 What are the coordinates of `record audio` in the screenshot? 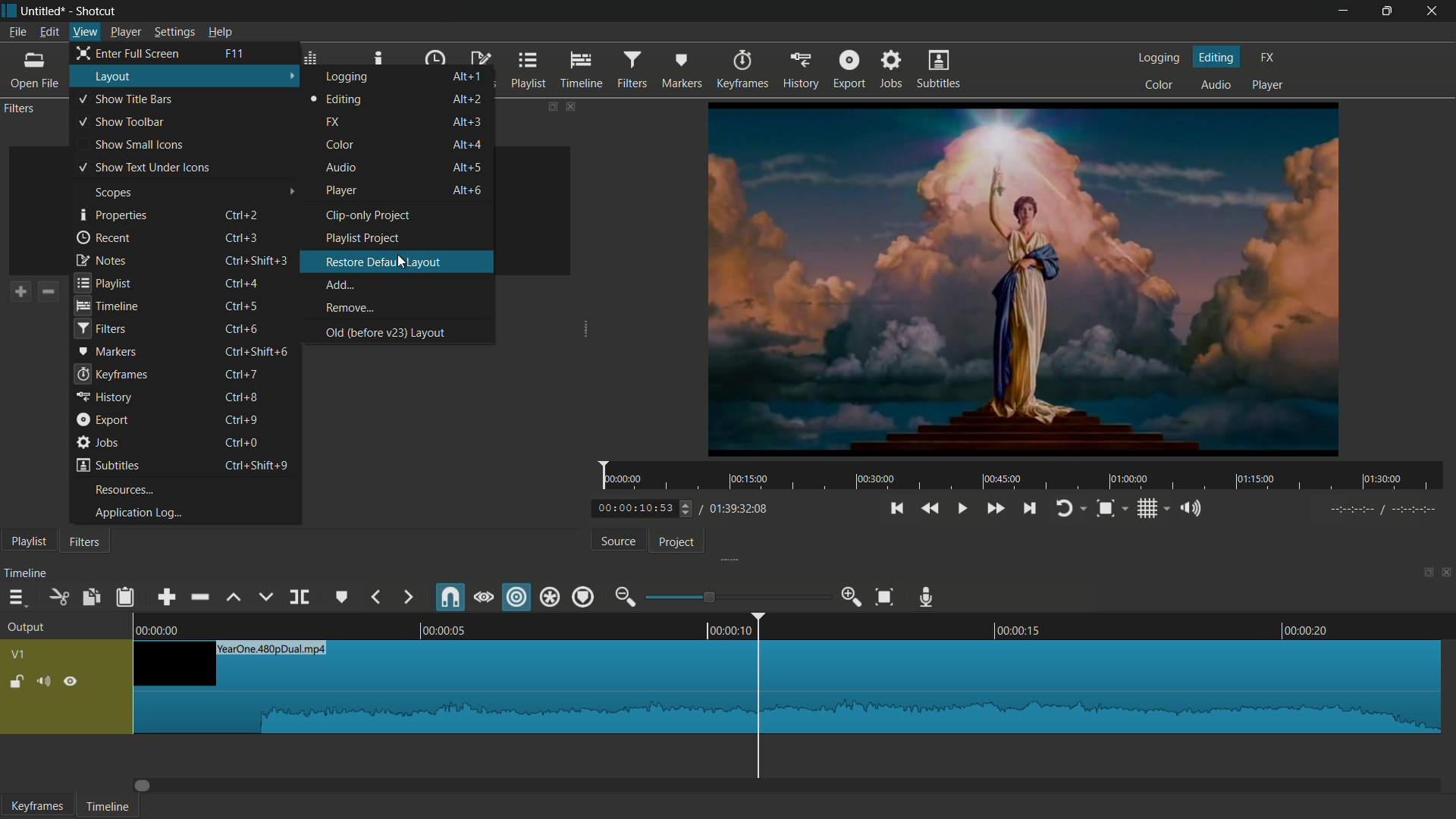 It's located at (929, 598).